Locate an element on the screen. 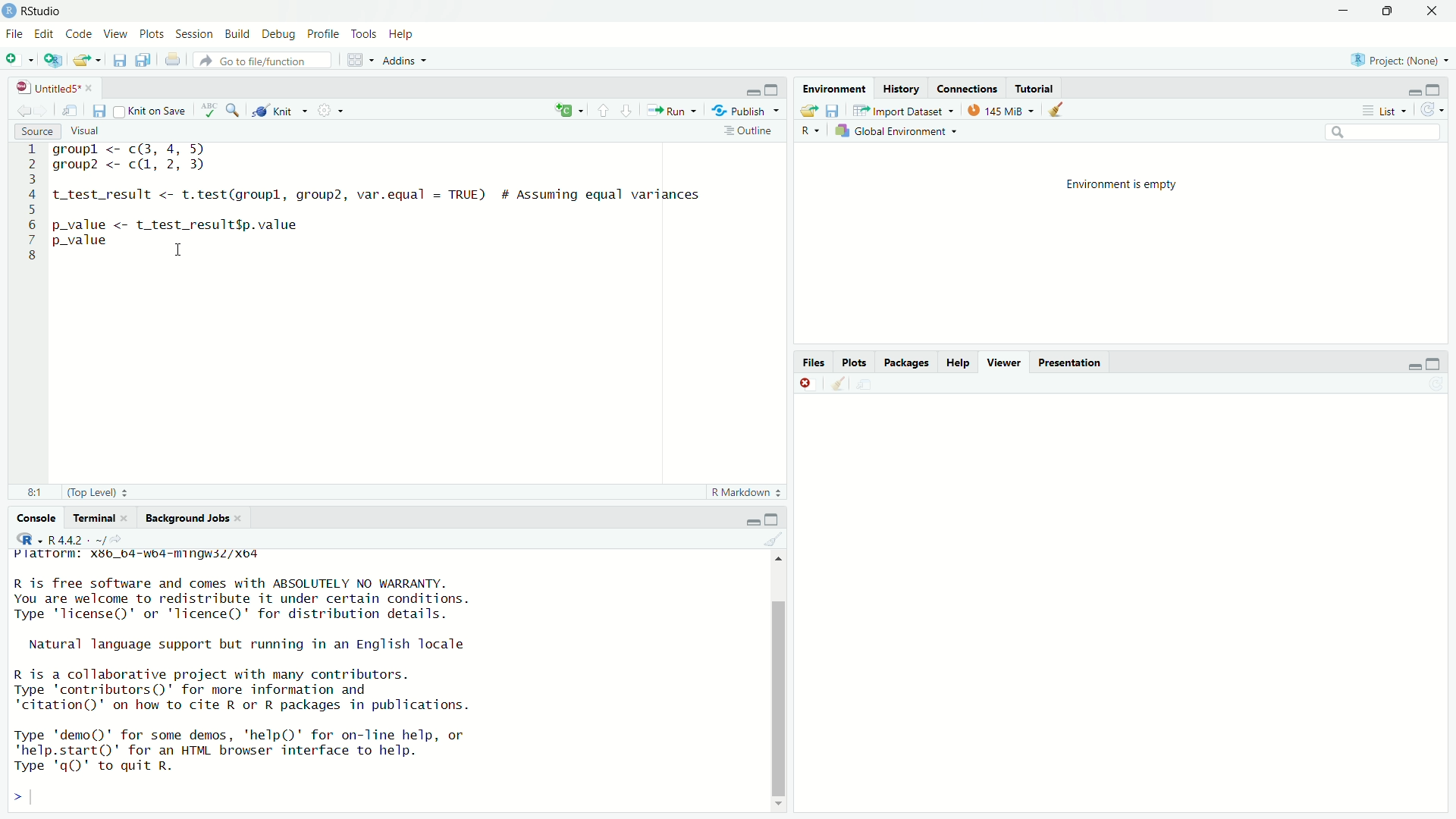 Image resolution: width=1456 pixels, height=819 pixels. go to previous section is located at coordinates (603, 109).